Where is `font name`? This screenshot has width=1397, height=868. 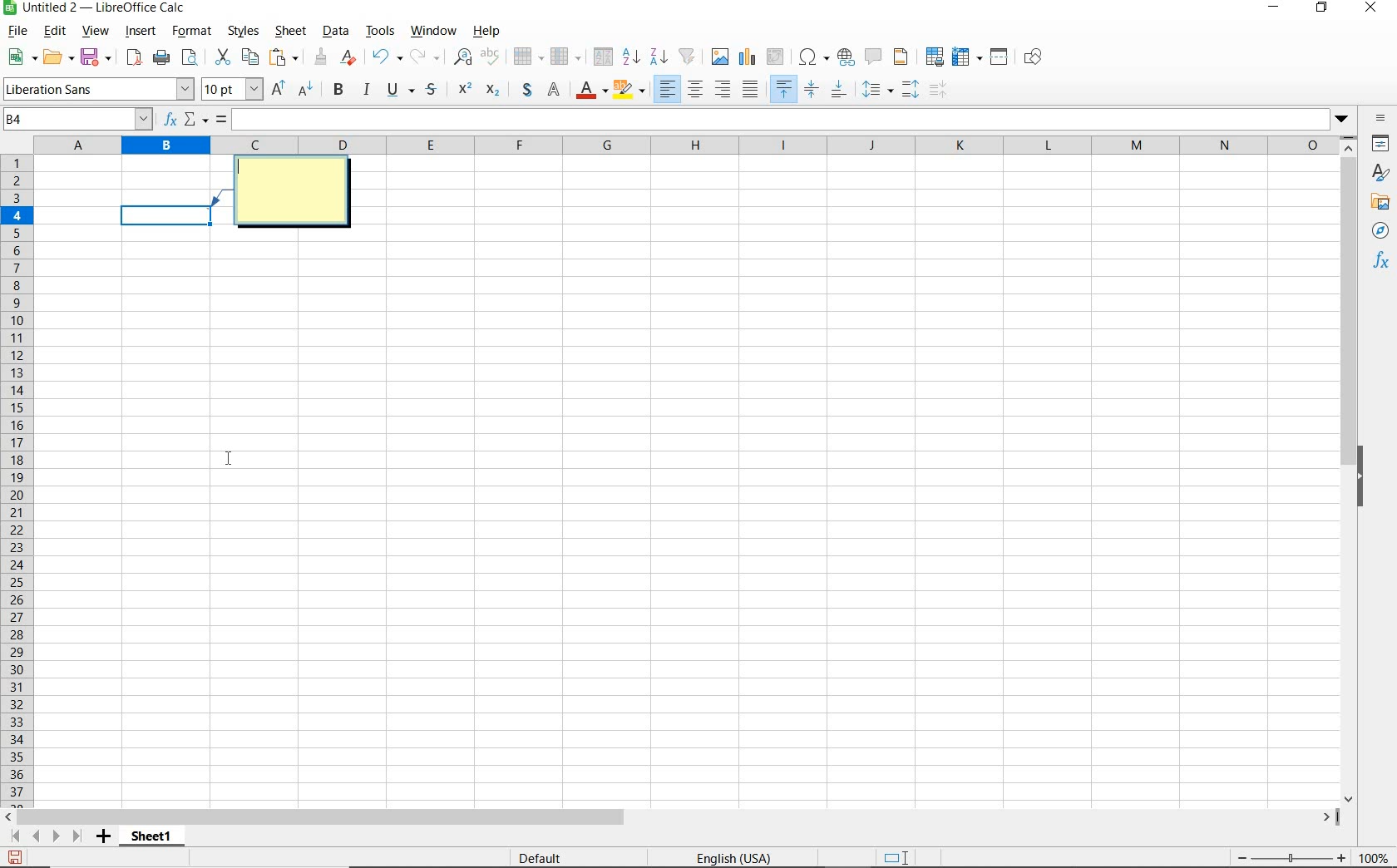
font name is located at coordinates (99, 89).